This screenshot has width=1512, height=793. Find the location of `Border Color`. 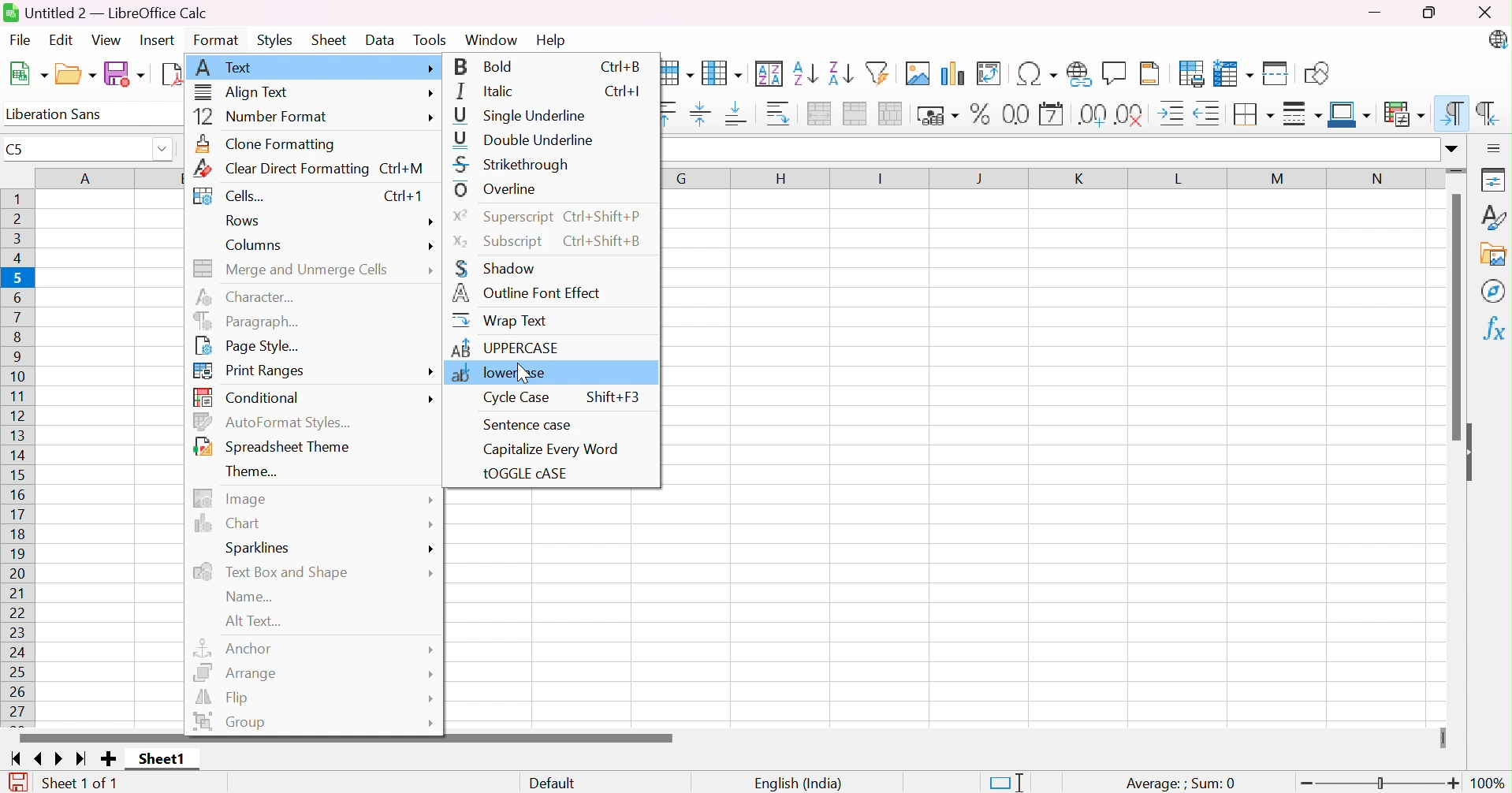

Border Color is located at coordinates (1350, 114).